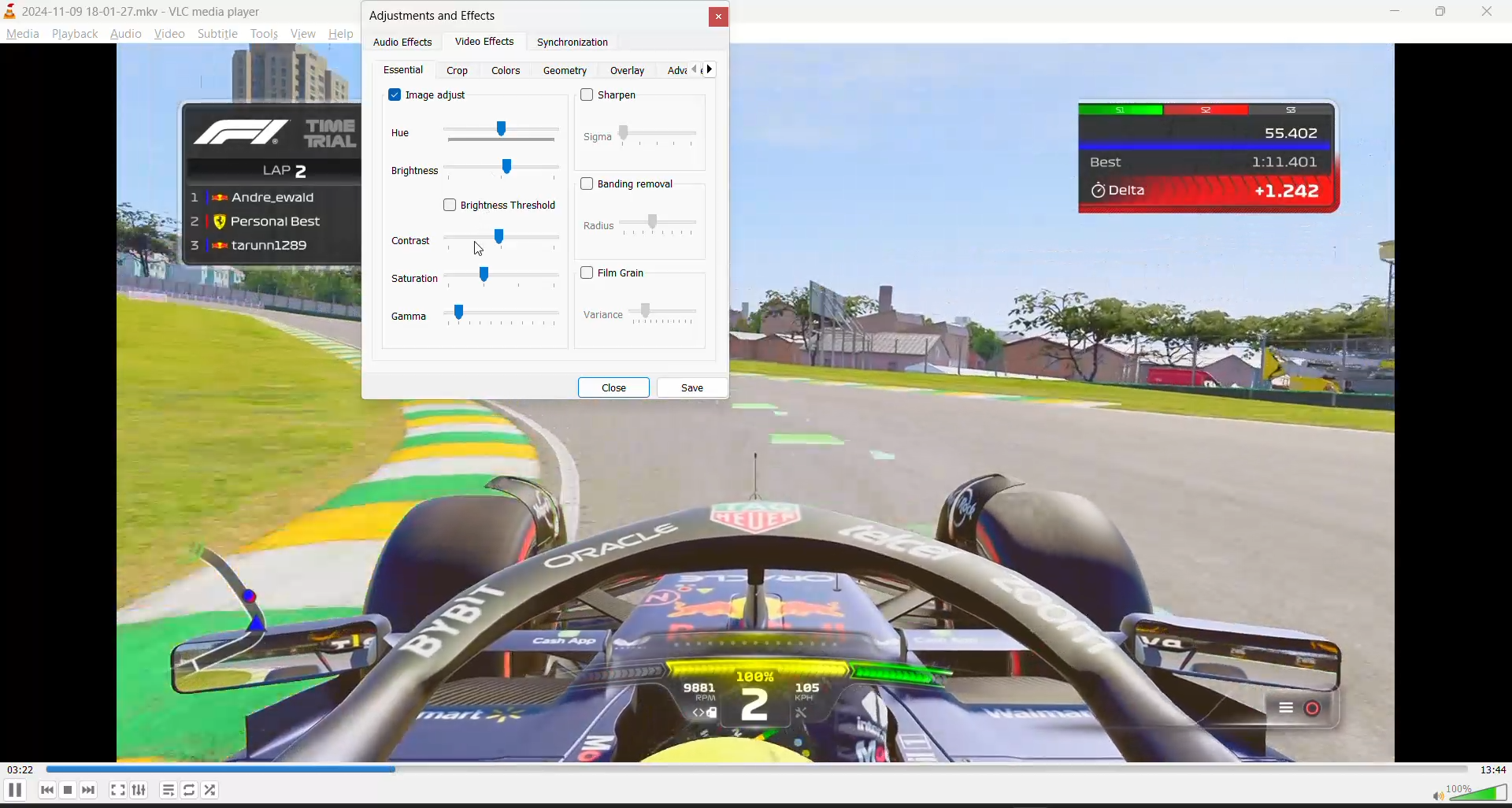 The height and width of the screenshot is (808, 1512). I want to click on subtitle, so click(220, 32).